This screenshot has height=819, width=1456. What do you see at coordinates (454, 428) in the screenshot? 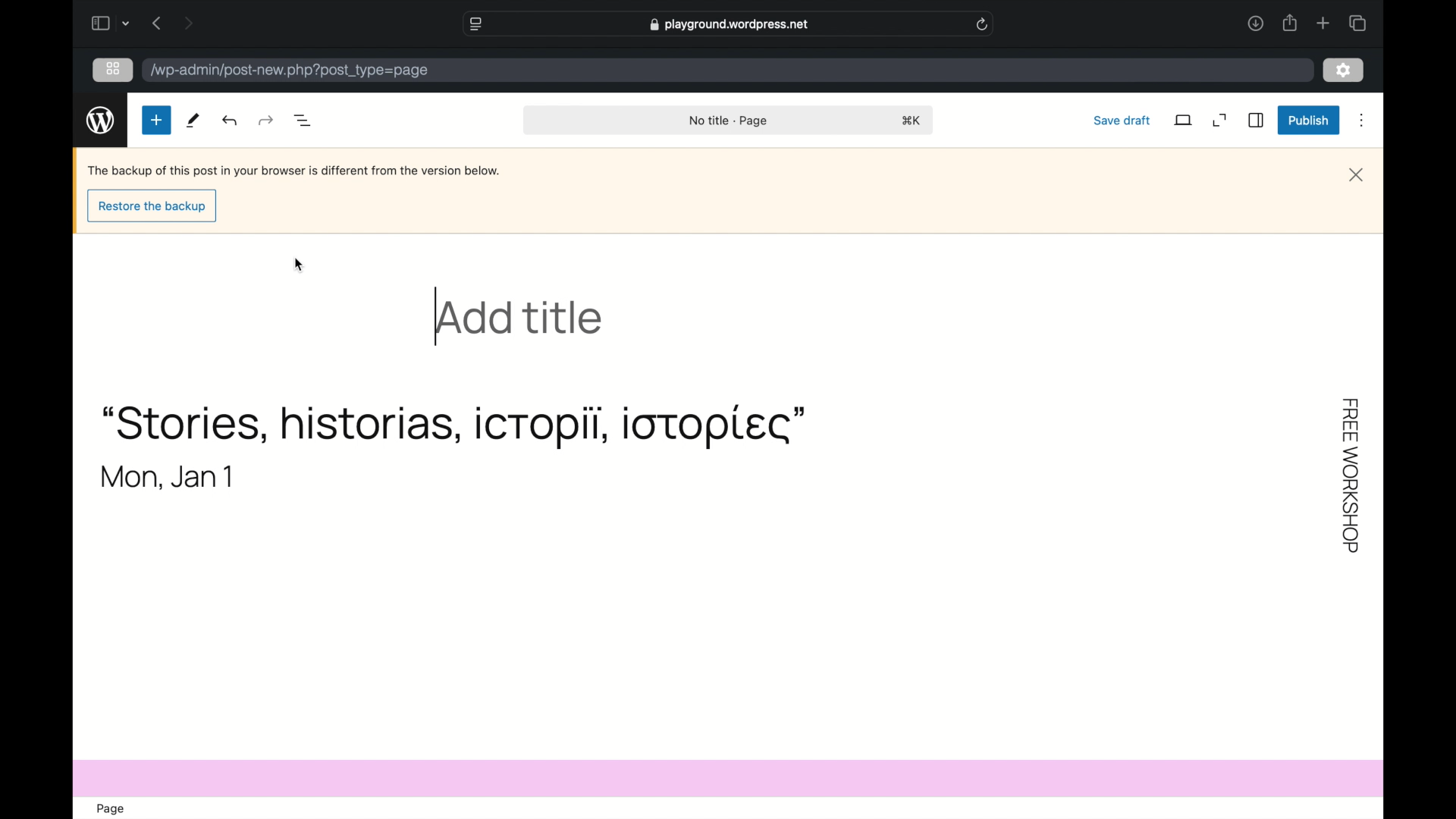
I see `template content` at bounding box center [454, 428].